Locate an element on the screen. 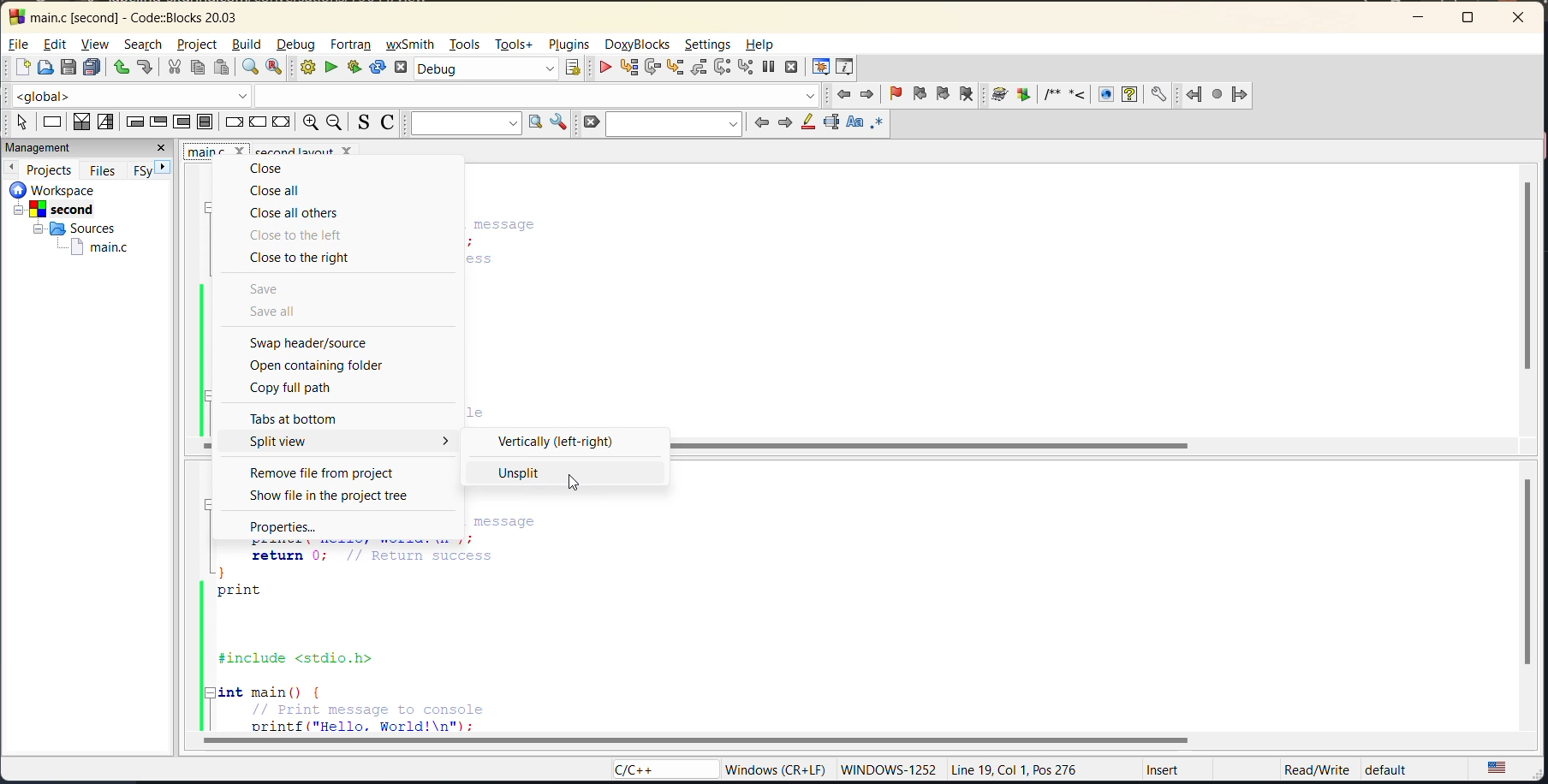  abort is located at coordinates (404, 68).